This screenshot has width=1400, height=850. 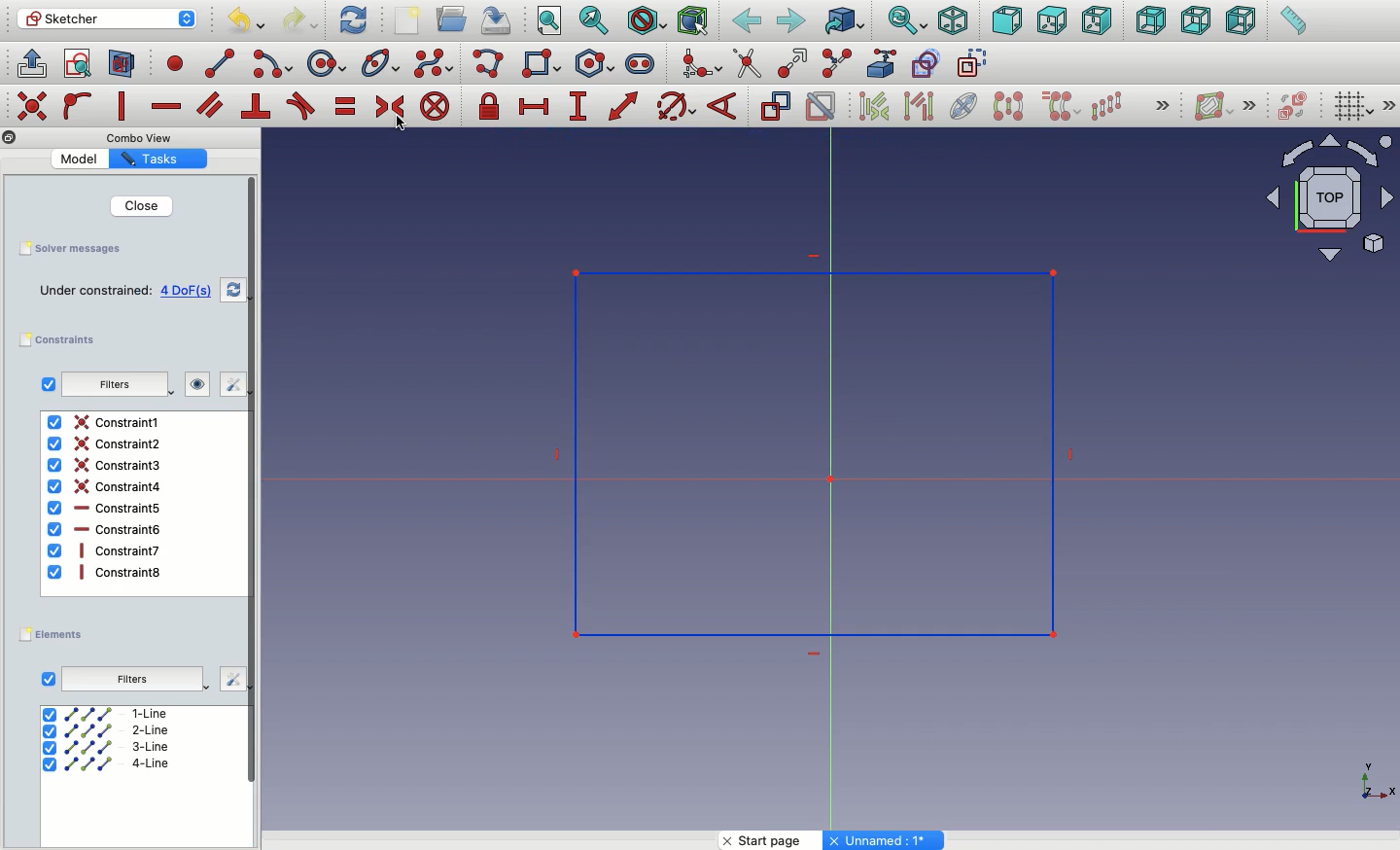 What do you see at coordinates (389, 110) in the screenshot?
I see `constrain symmetrical ` at bounding box center [389, 110].